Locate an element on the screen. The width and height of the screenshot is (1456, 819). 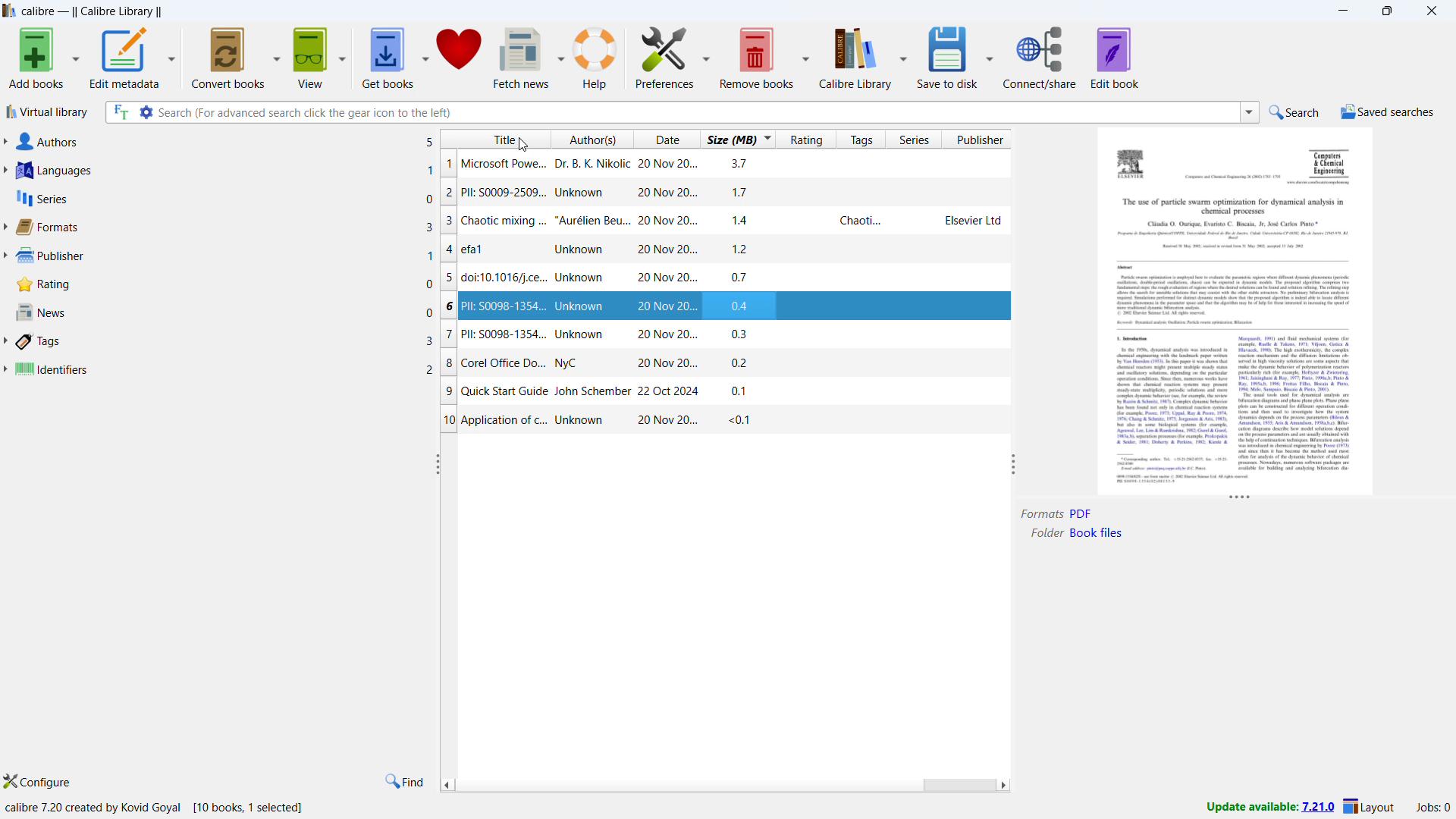
expand publisher is located at coordinates (5, 256).